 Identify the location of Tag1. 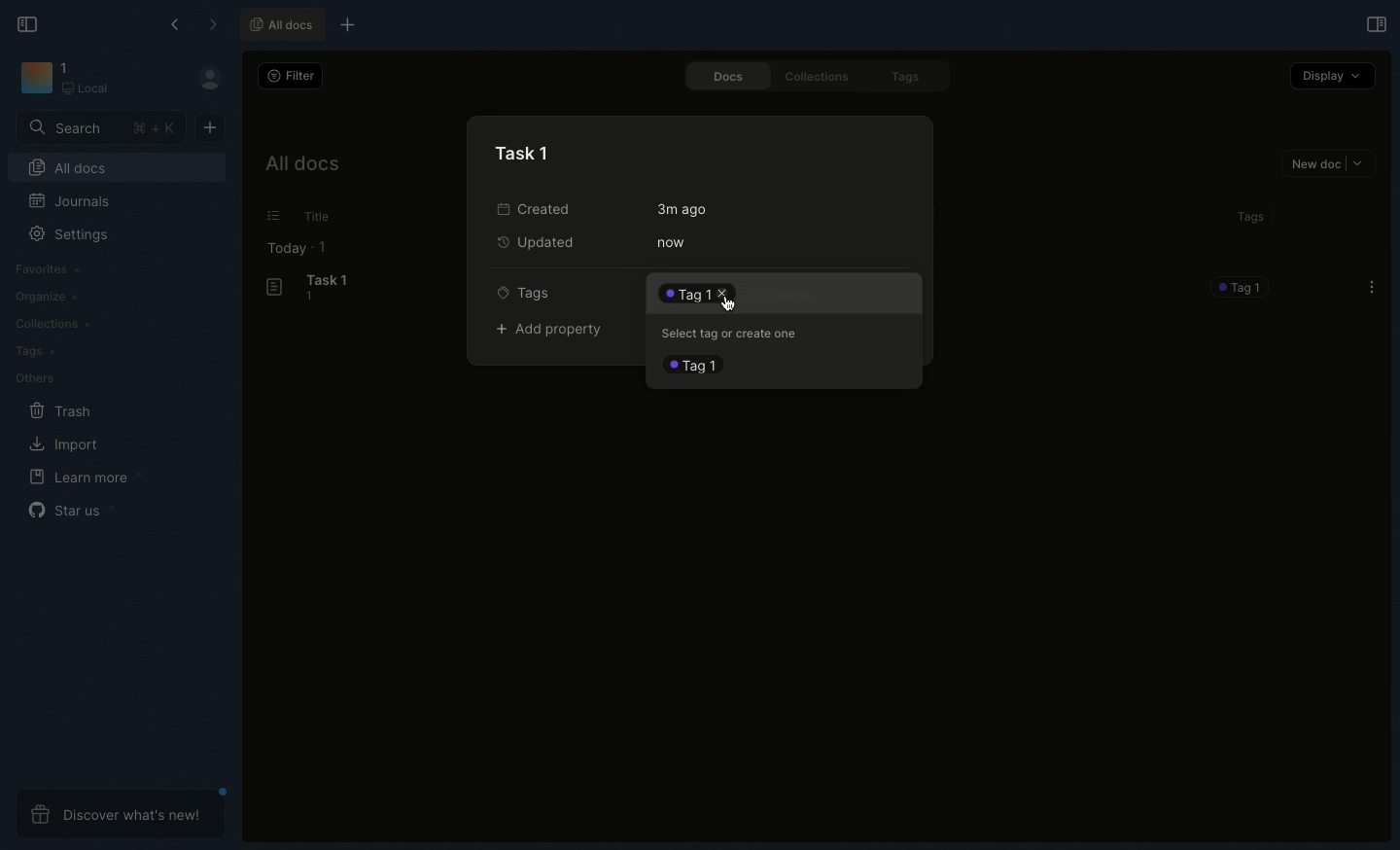
(697, 366).